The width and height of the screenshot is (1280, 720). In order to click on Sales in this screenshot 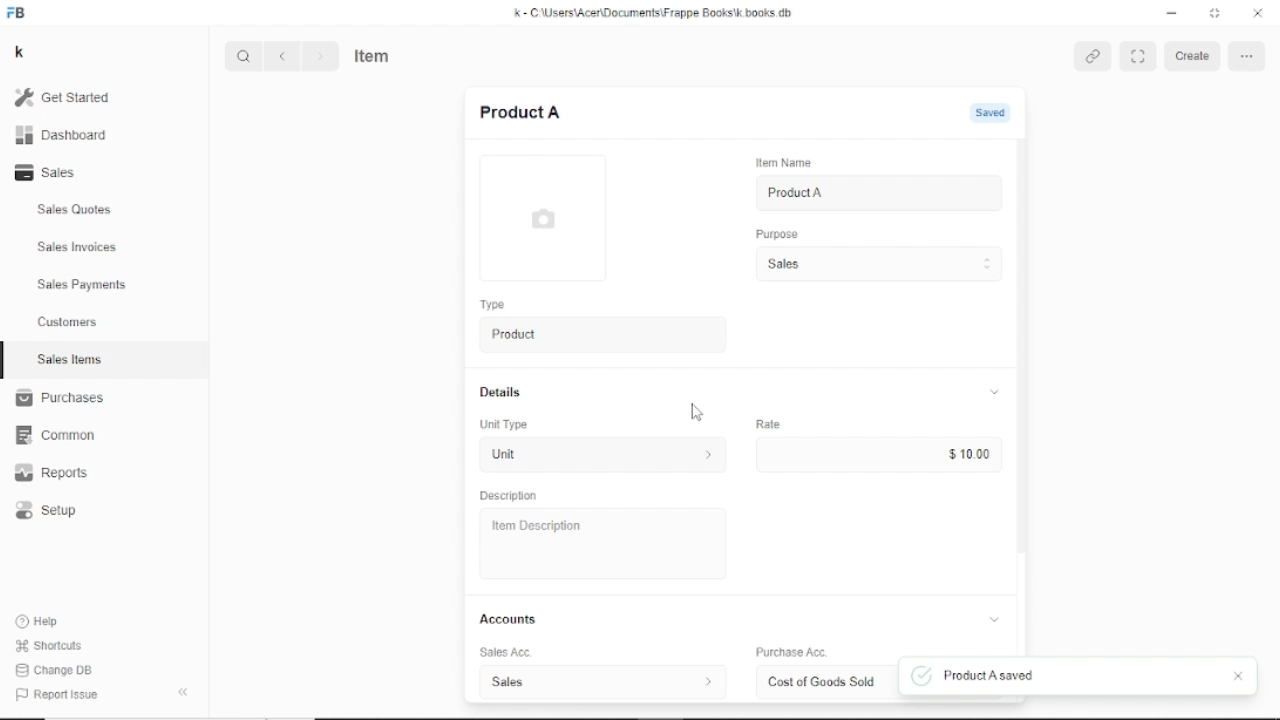, I will do `click(601, 681)`.